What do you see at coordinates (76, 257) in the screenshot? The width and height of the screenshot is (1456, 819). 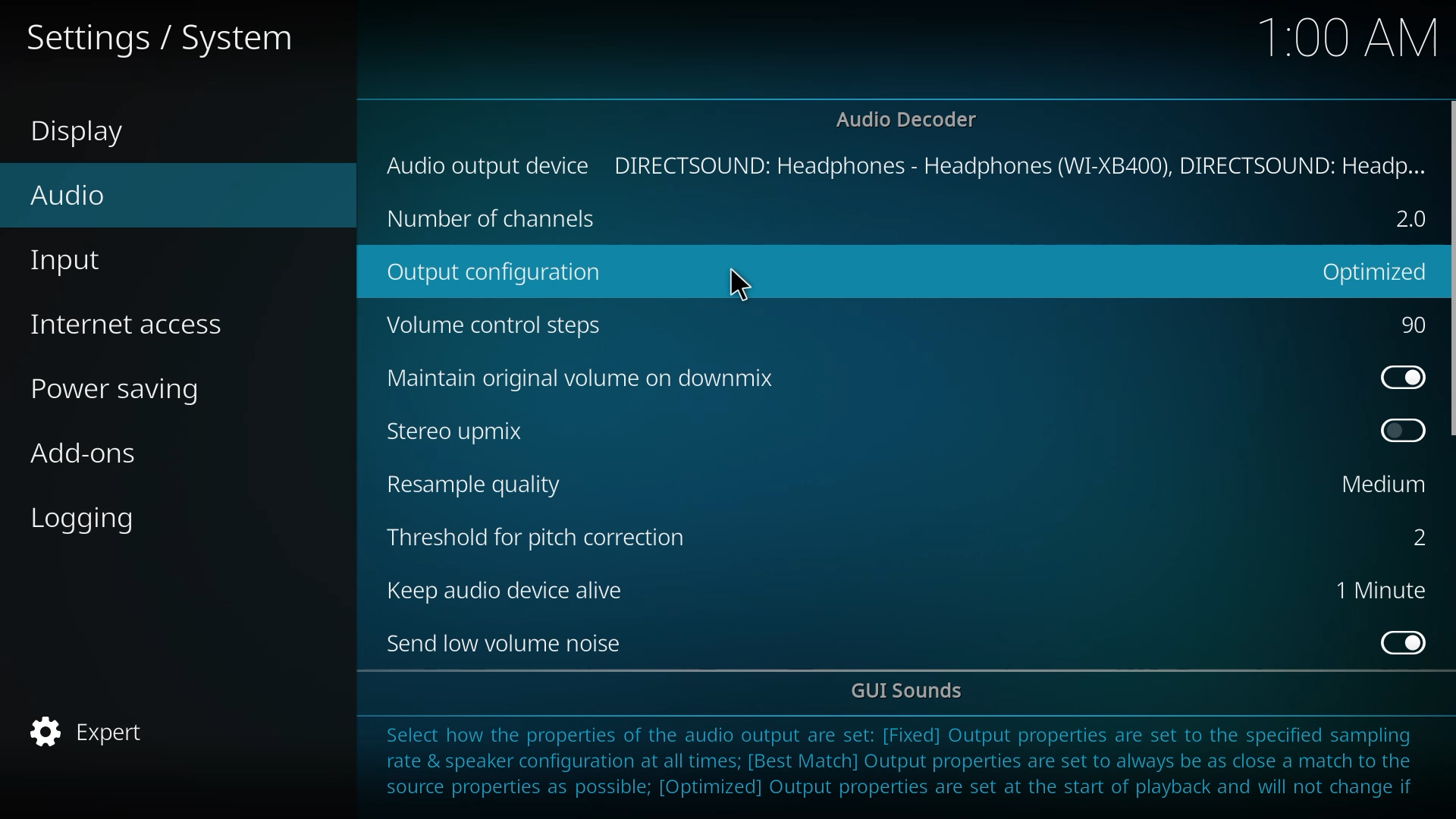 I see `input` at bounding box center [76, 257].